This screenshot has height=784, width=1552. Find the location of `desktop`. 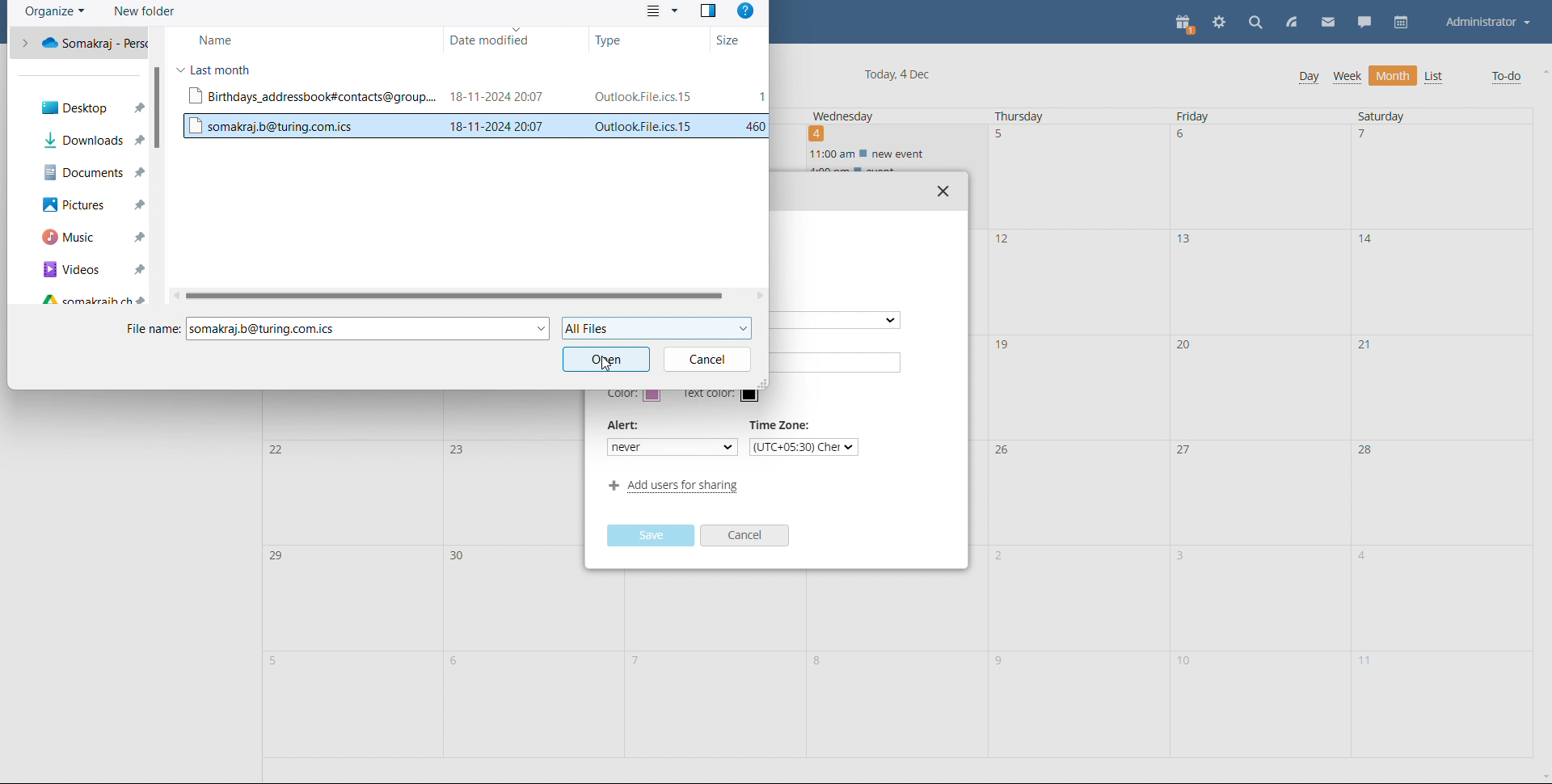

desktop is located at coordinates (84, 106).